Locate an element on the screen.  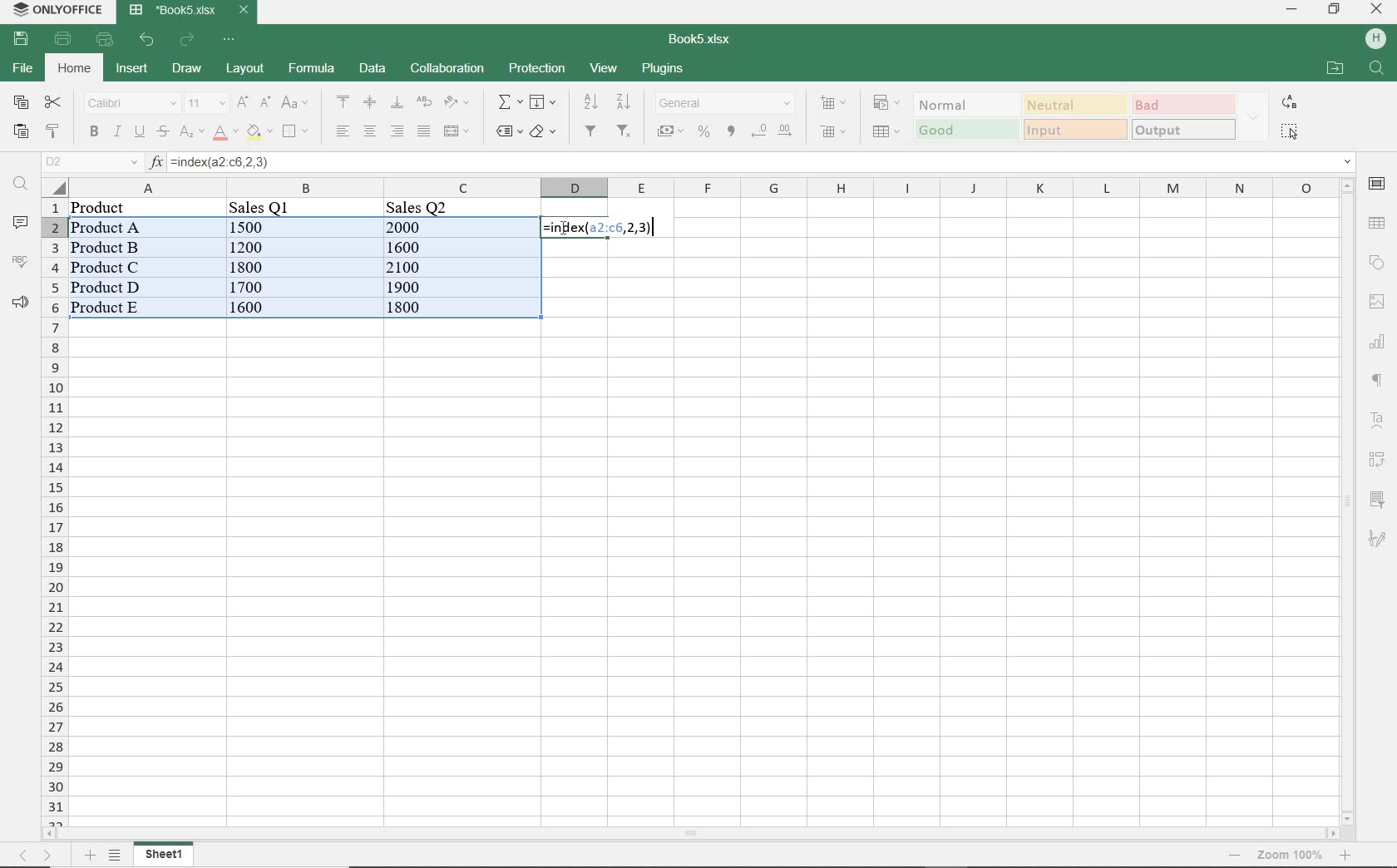
font is located at coordinates (129, 104).